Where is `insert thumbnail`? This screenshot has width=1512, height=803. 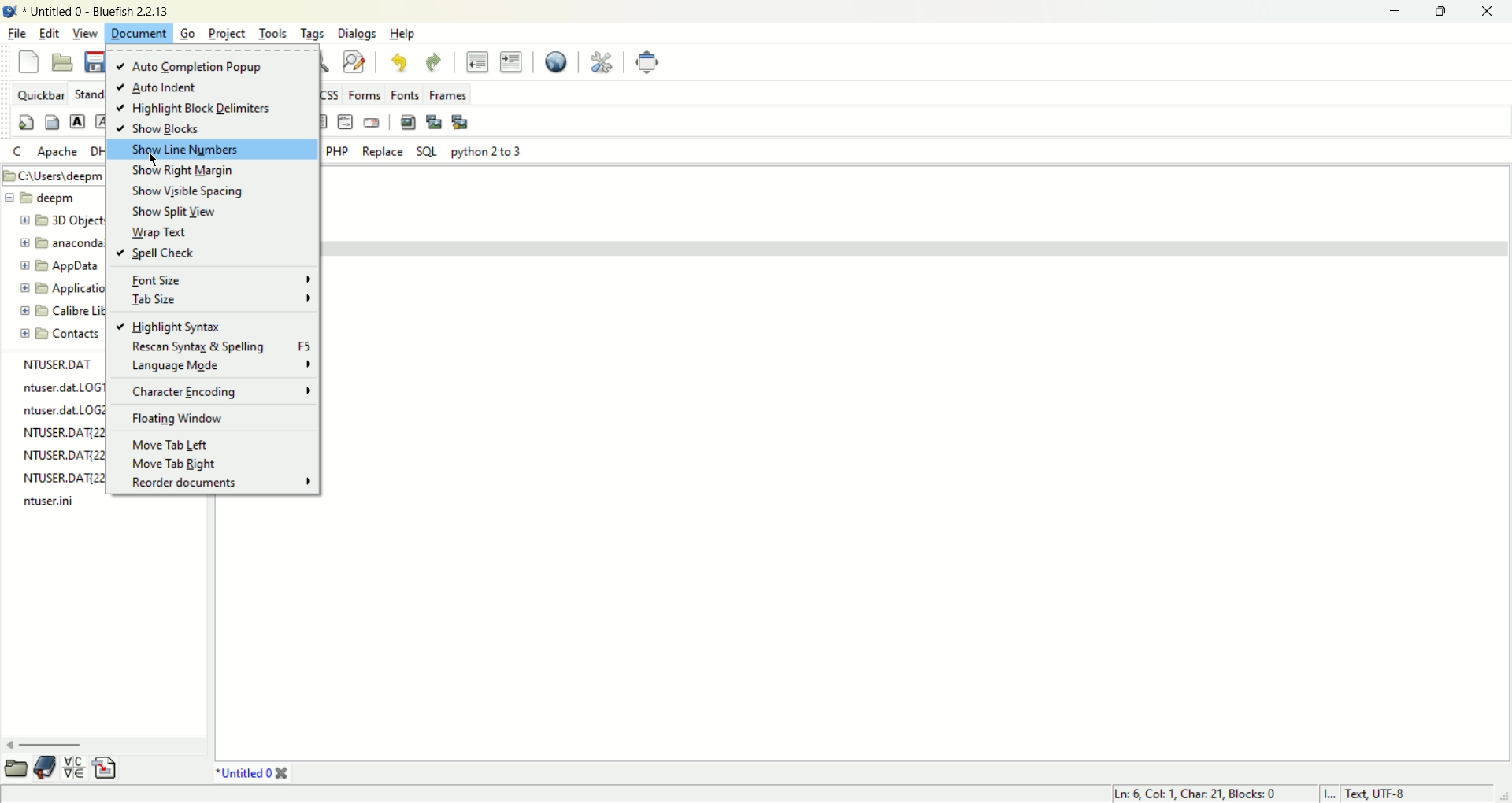
insert thumbnail is located at coordinates (432, 120).